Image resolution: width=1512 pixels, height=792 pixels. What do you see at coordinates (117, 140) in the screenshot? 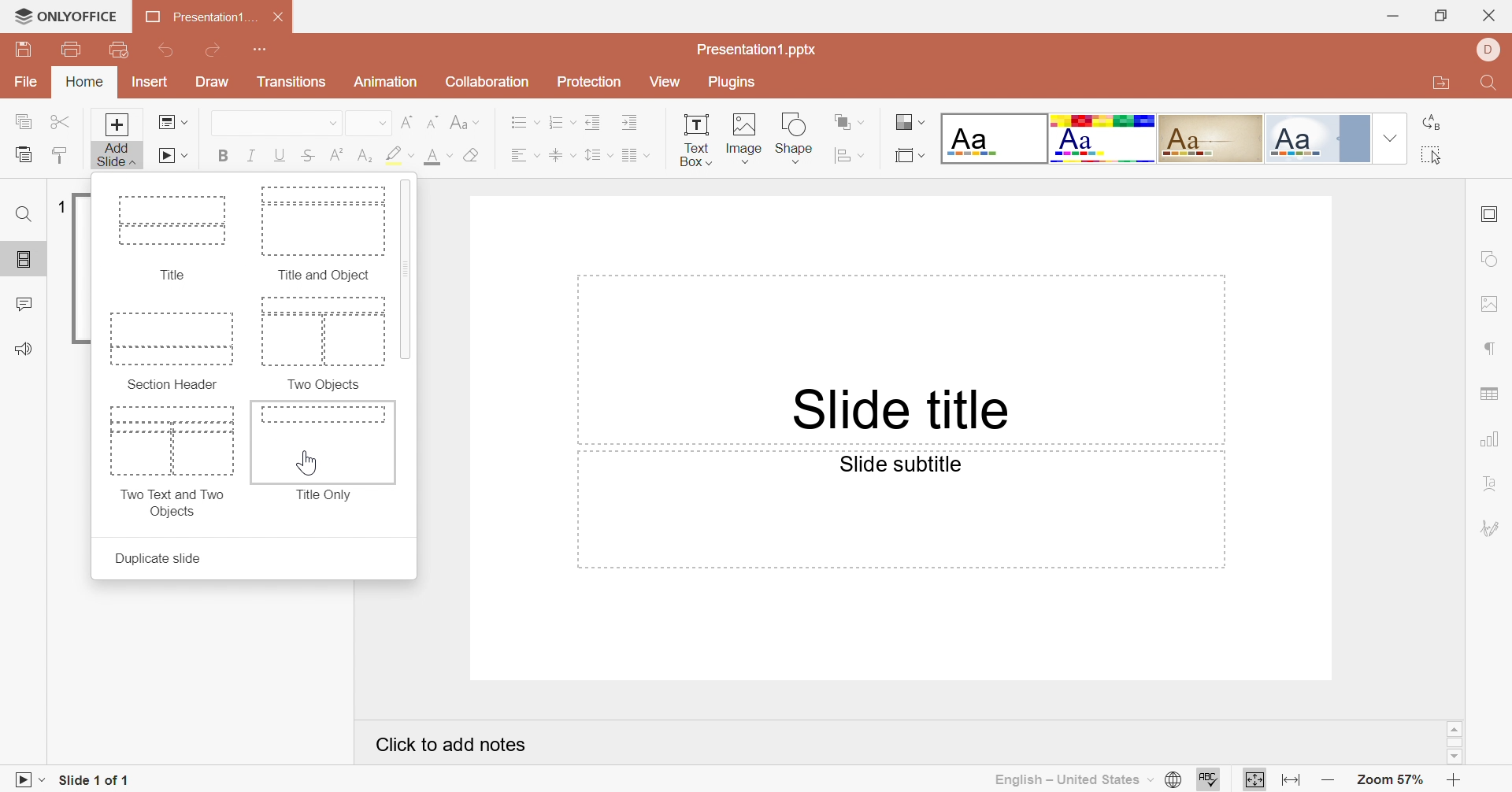
I see `Add slide` at bounding box center [117, 140].